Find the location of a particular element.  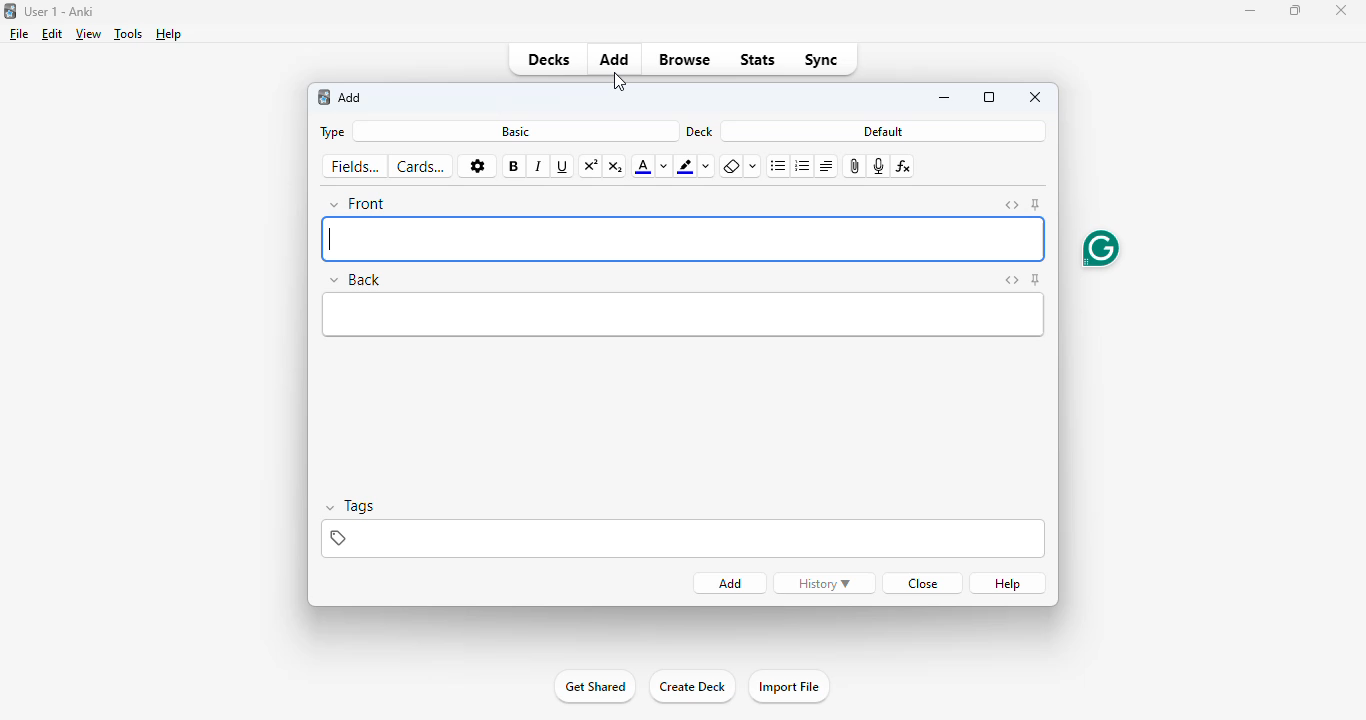

options is located at coordinates (477, 167).